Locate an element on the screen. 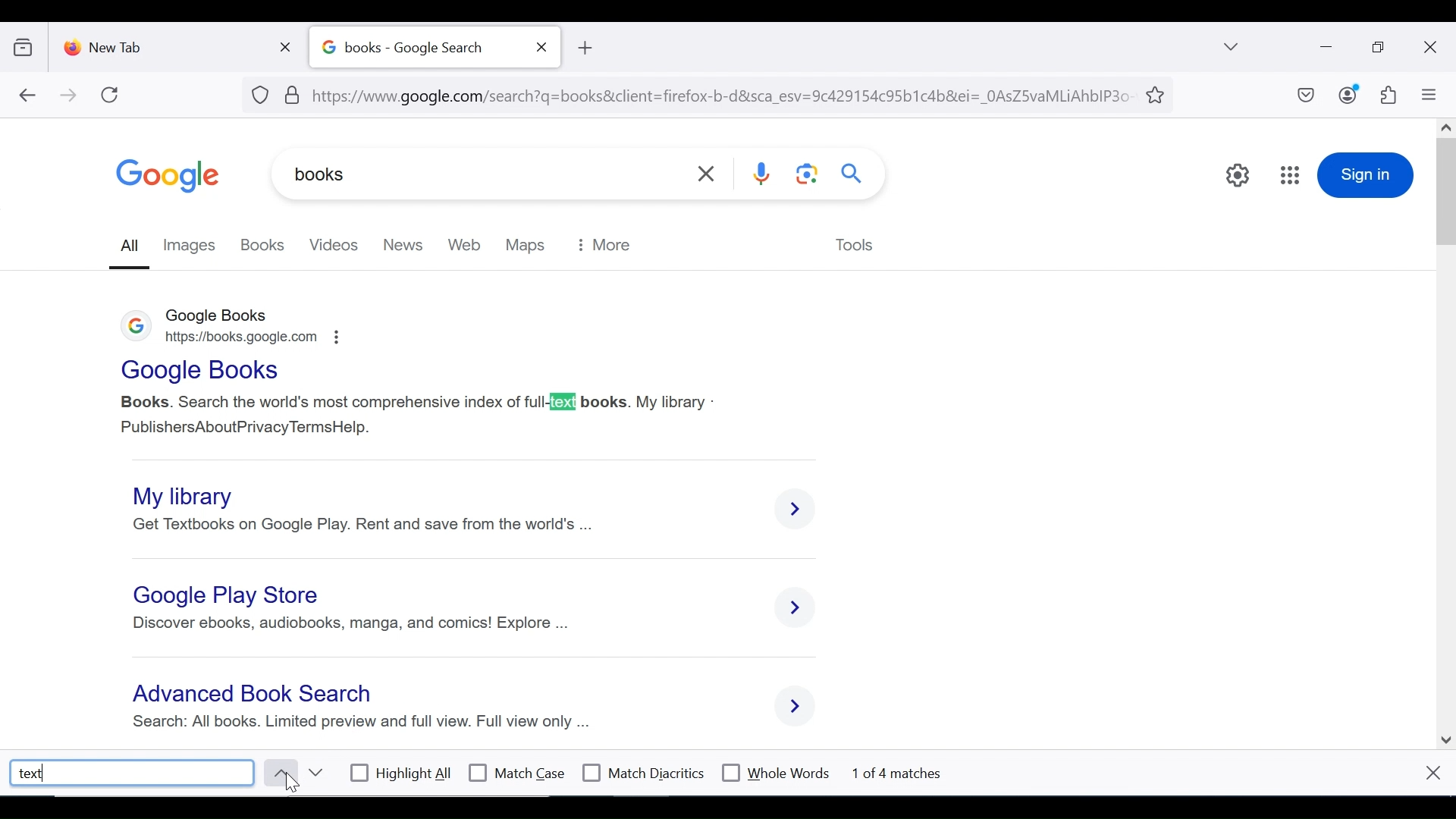  text is located at coordinates (133, 772).